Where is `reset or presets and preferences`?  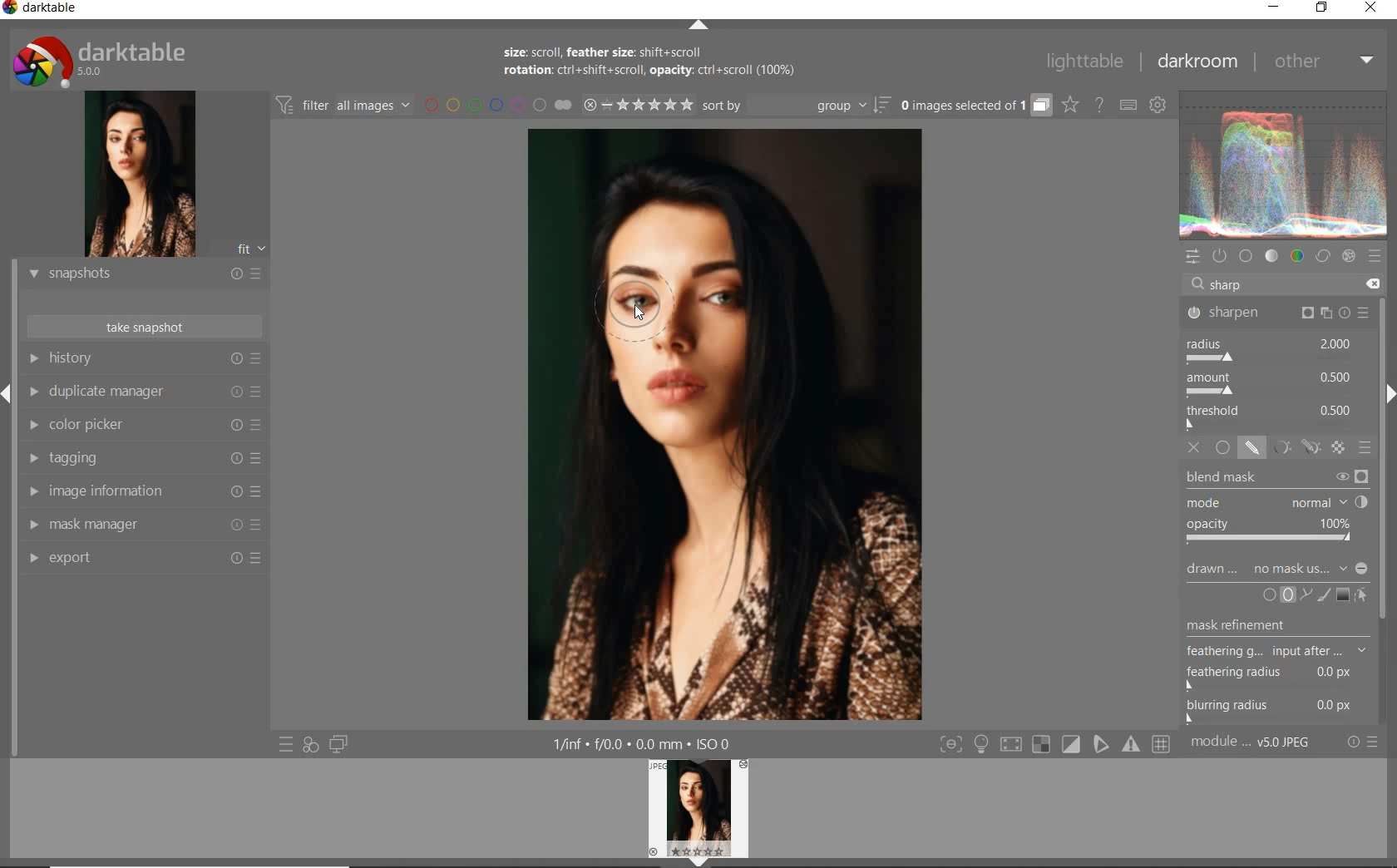
reset or presets and preferences is located at coordinates (1363, 742).